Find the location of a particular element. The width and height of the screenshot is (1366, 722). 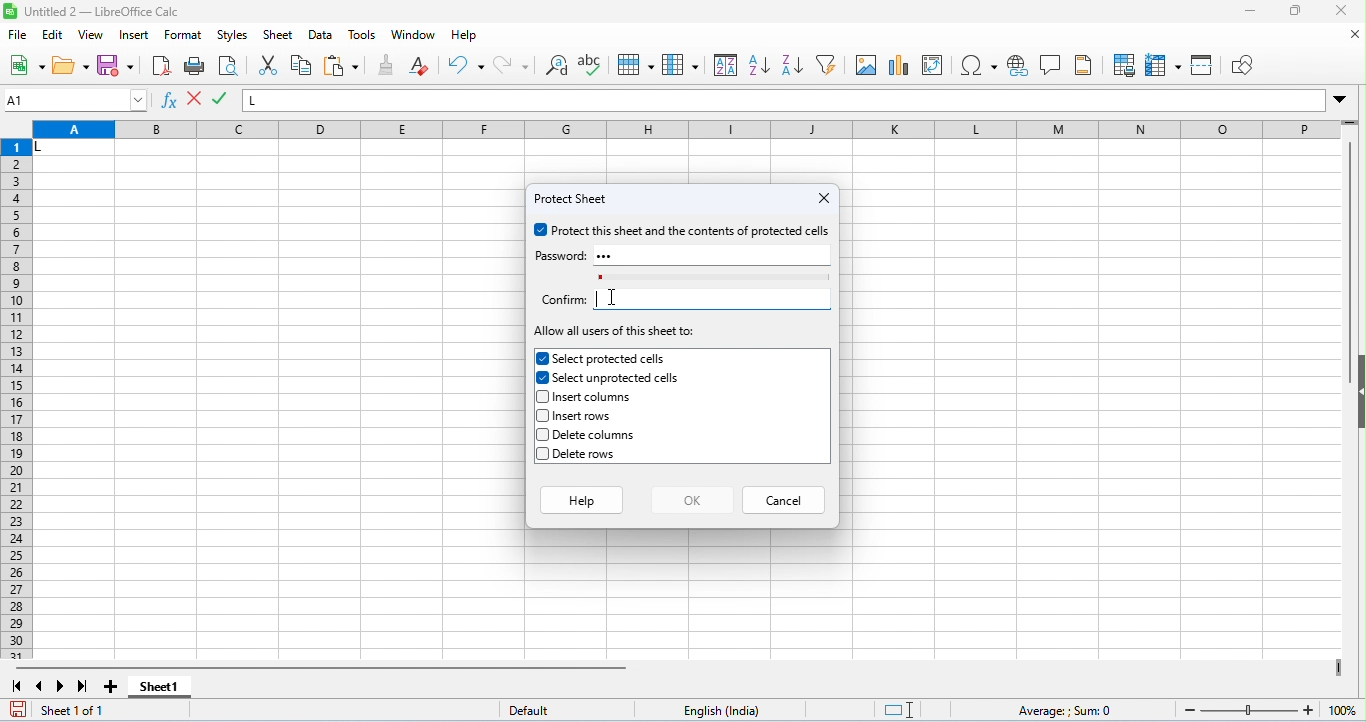

maximize is located at coordinates (1294, 13).